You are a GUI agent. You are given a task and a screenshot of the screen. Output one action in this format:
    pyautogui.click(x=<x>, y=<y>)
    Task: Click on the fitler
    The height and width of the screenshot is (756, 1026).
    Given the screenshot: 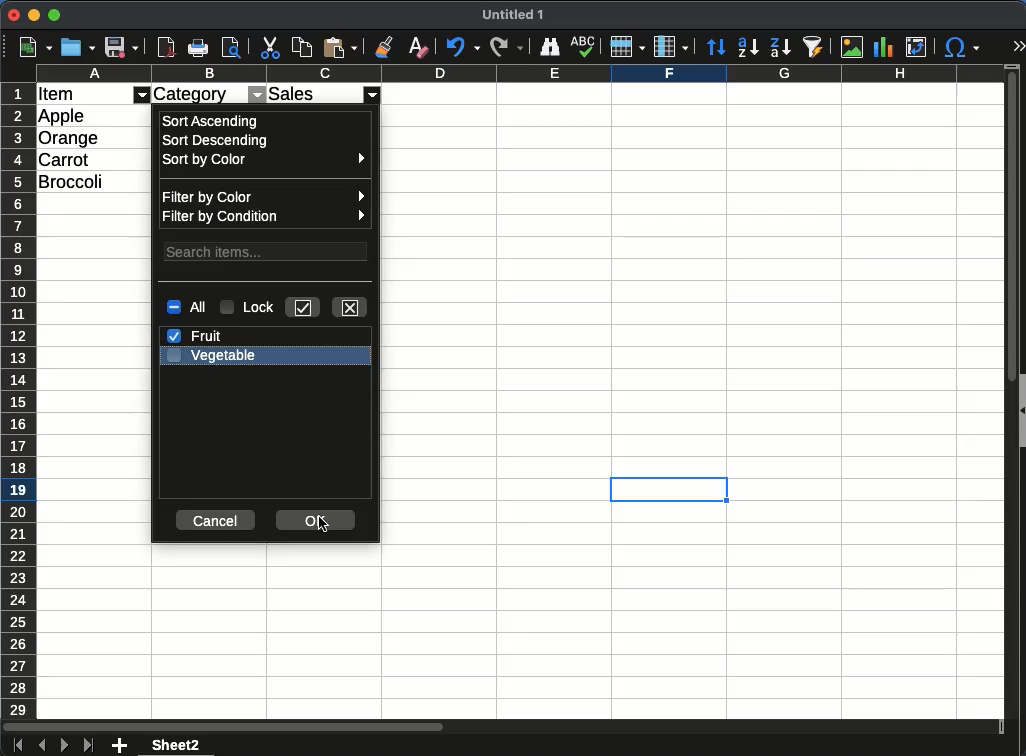 What is the action you would take?
    pyautogui.click(x=144, y=94)
    